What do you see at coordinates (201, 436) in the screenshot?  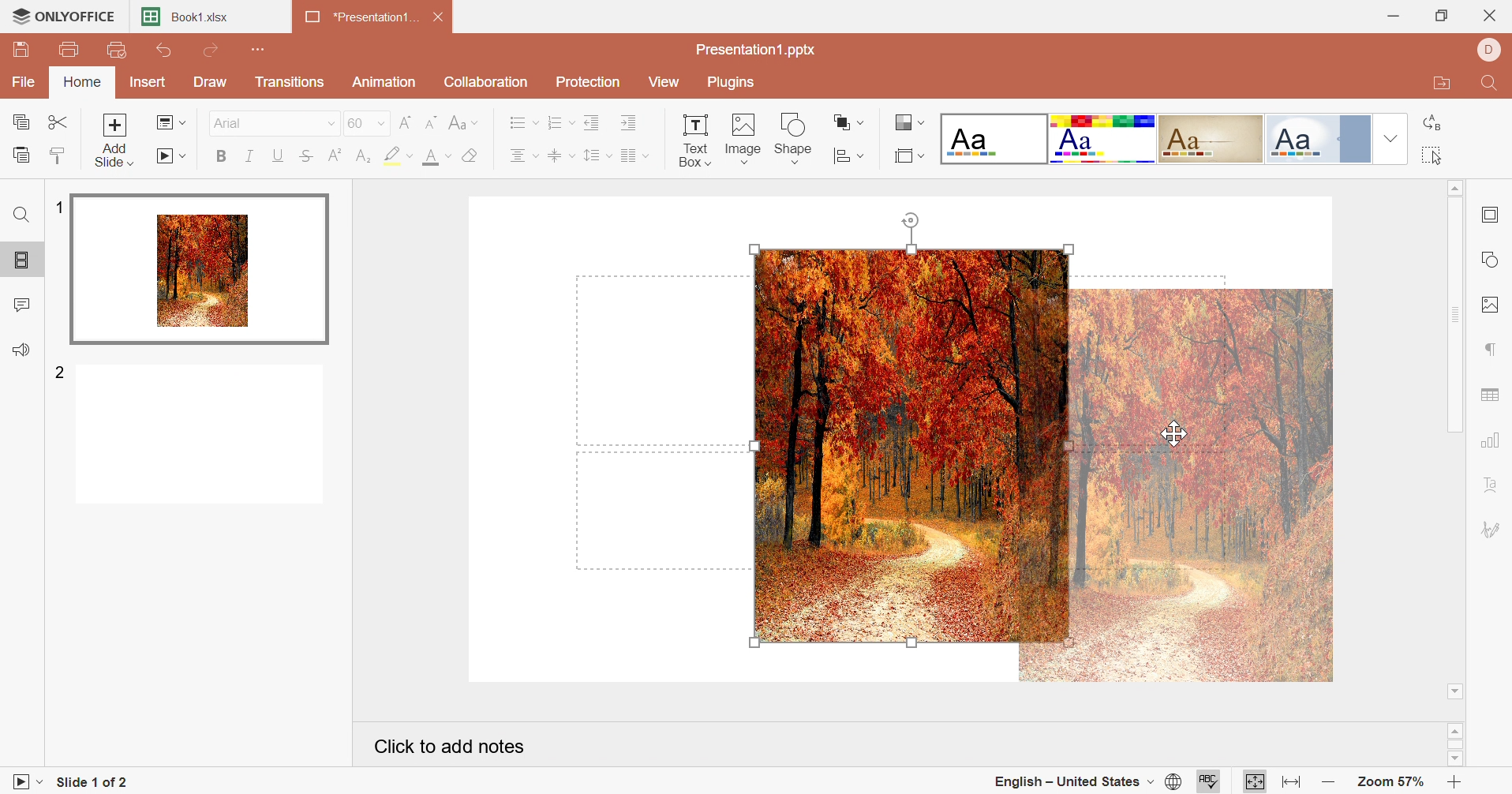 I see `Slide 2` at bounding box center [201, 436].